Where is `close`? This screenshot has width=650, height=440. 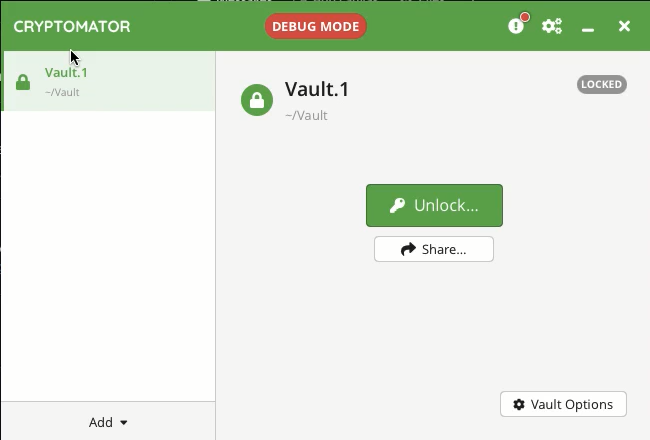 close is located at coordinates (625, 26).